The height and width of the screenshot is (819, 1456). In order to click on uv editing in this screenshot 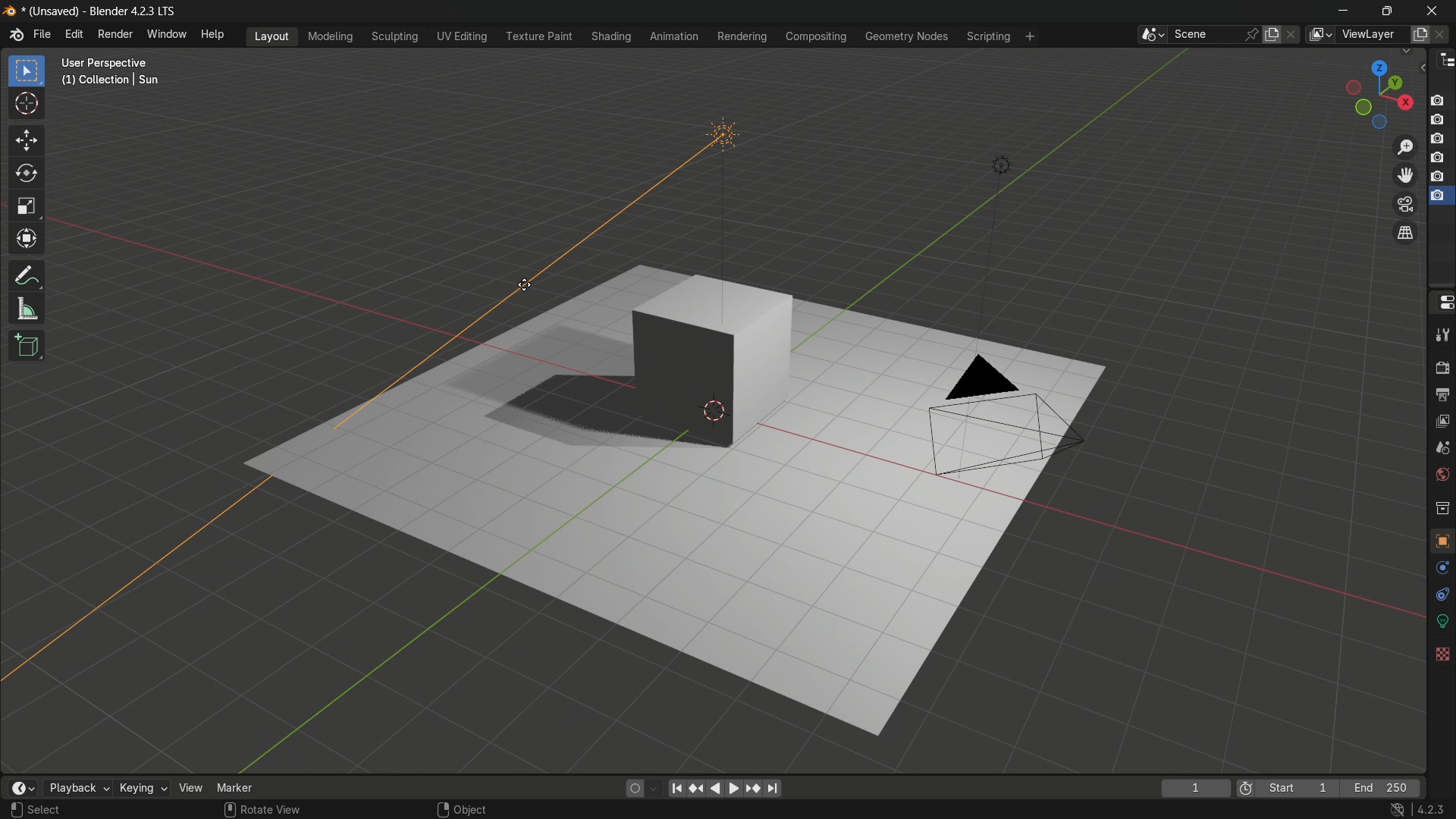, I will do `click(462, 36)`.